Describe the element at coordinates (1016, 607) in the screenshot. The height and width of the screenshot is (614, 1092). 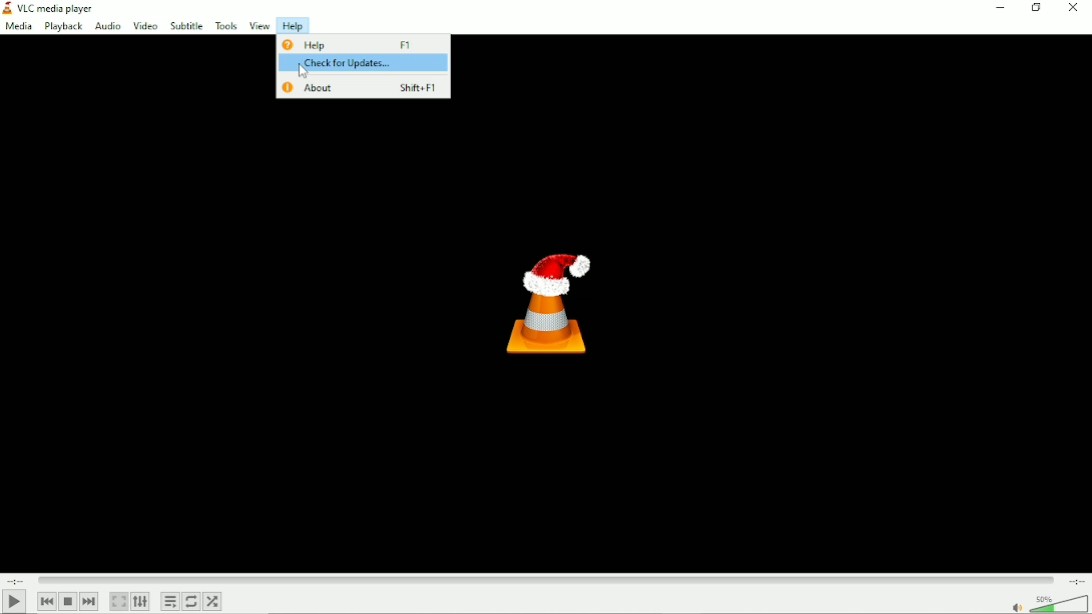
I see `mute` at that location.